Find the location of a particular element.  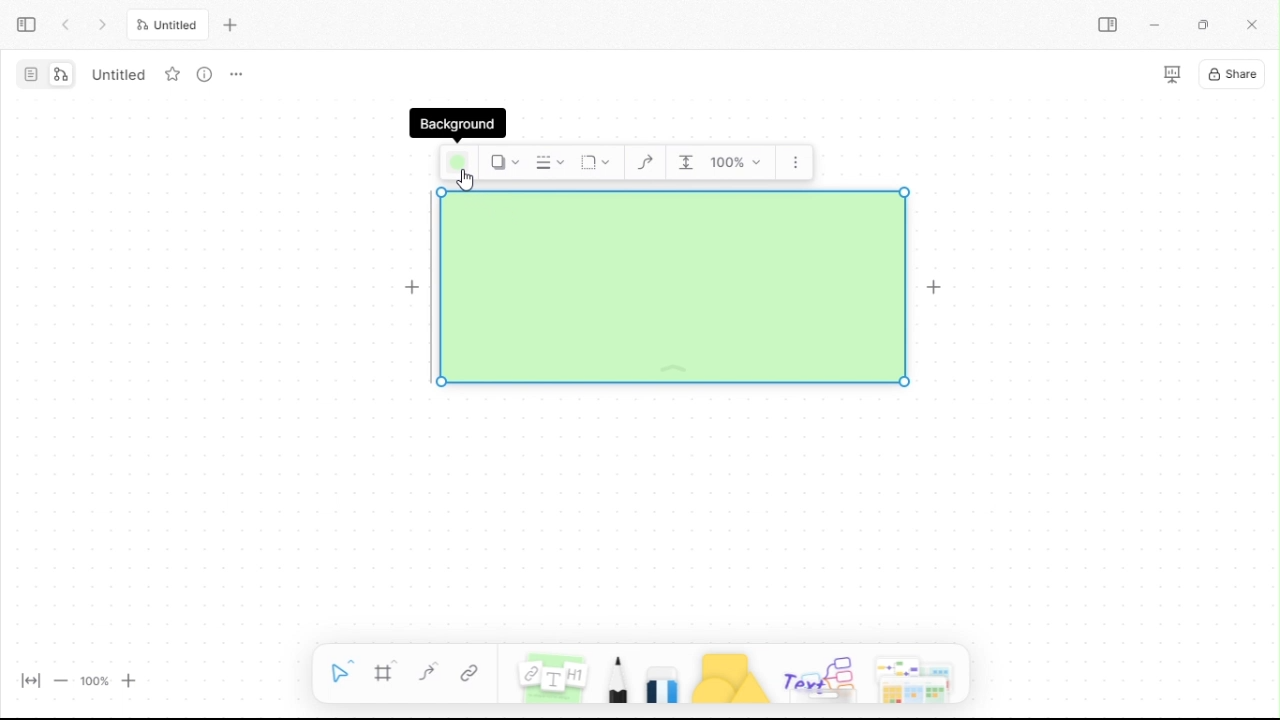

zoom out is located at coordinates (61, 680).